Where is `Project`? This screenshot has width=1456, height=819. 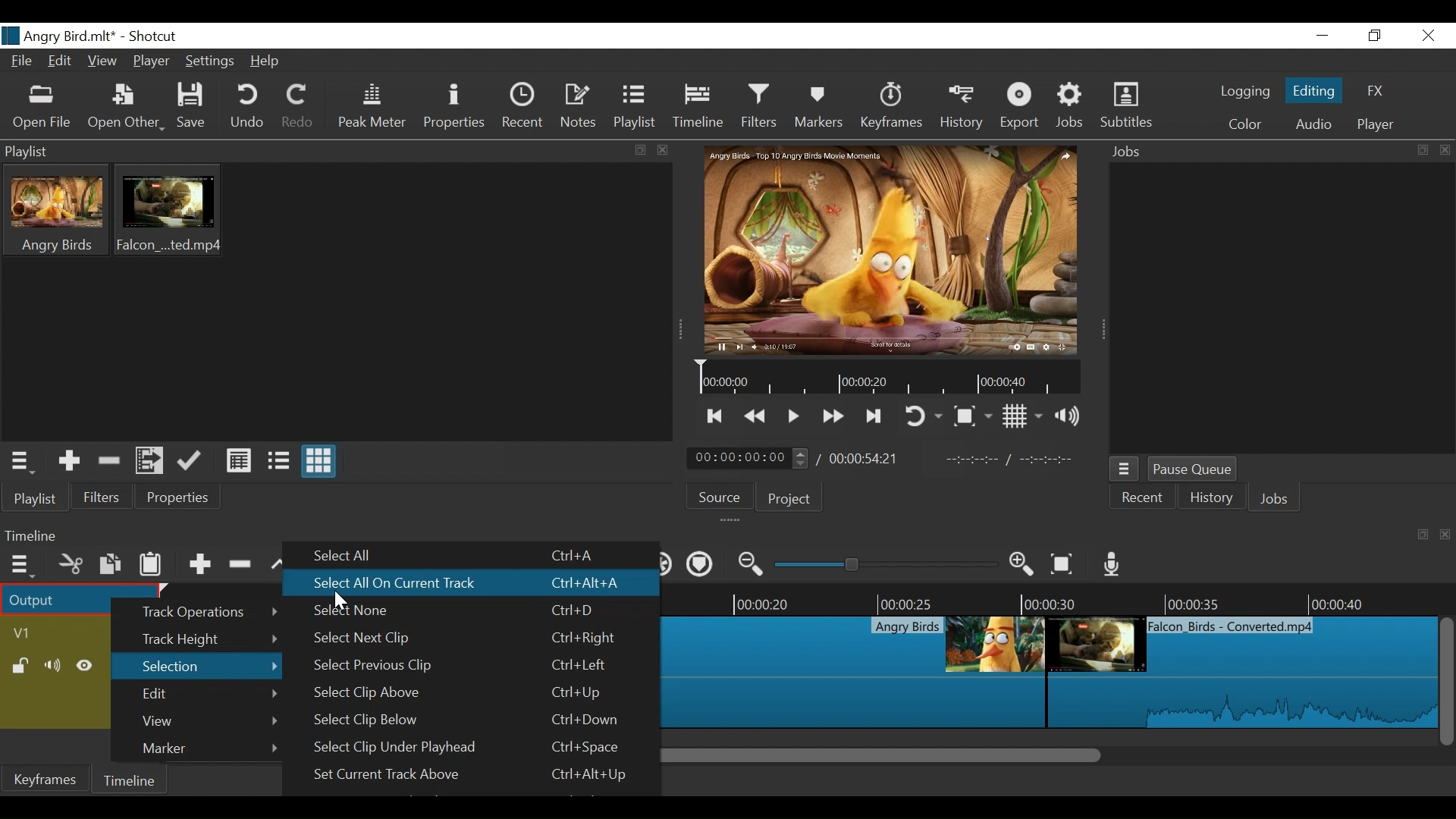
Project is located at coordinates (788, 500).